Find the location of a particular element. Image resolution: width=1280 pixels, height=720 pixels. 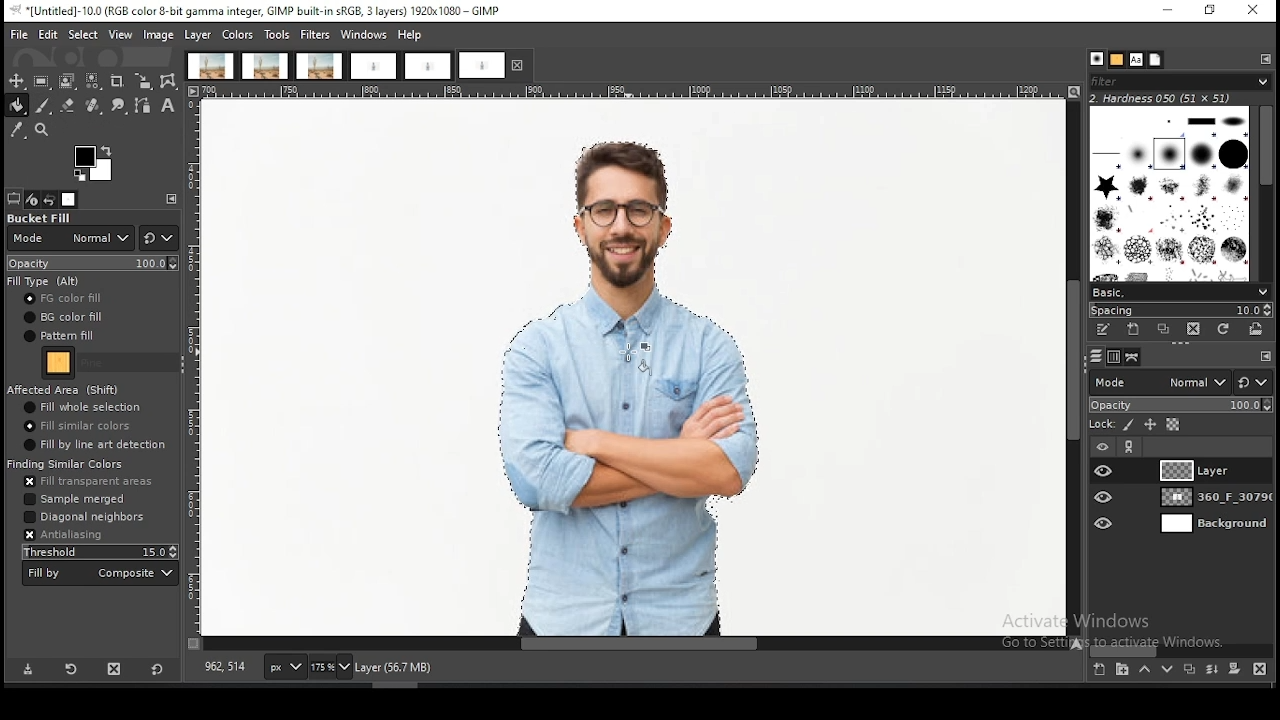

layer is located at coordinates (198, 35).